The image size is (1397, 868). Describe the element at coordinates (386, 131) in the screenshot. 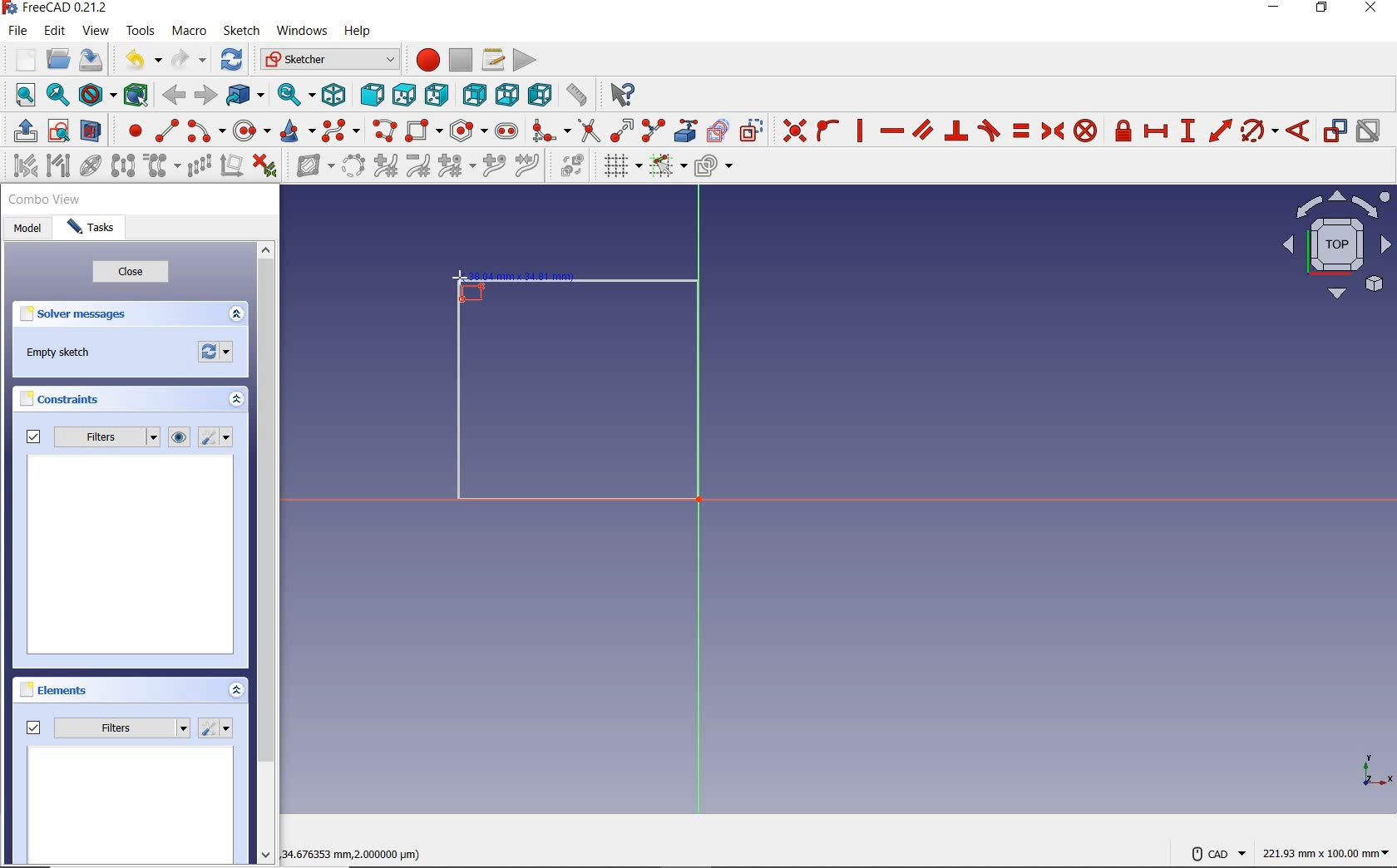

I see `create polyline` at that location.